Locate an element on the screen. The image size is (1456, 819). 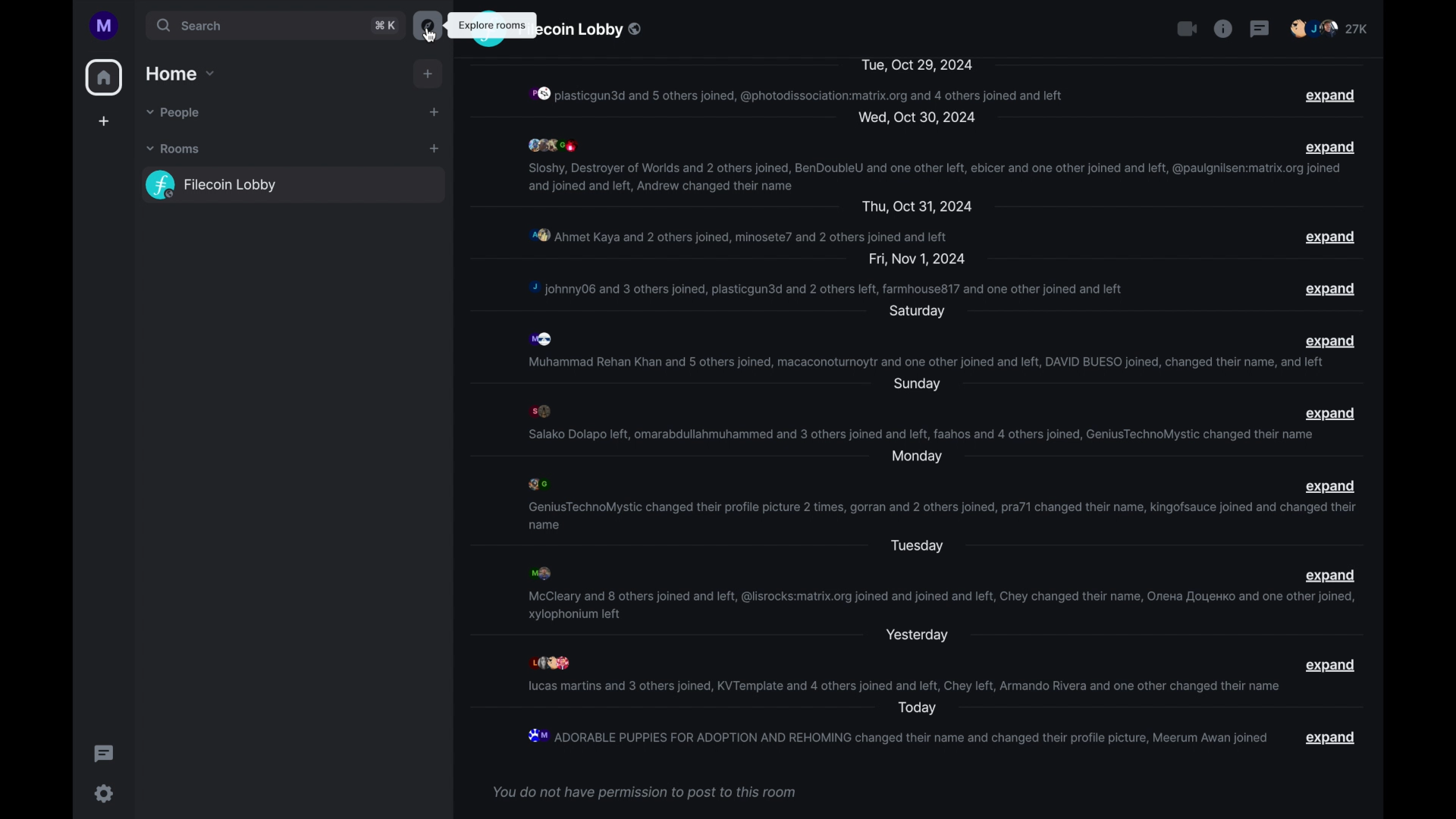
expand is located at coordinates (1330, 576).